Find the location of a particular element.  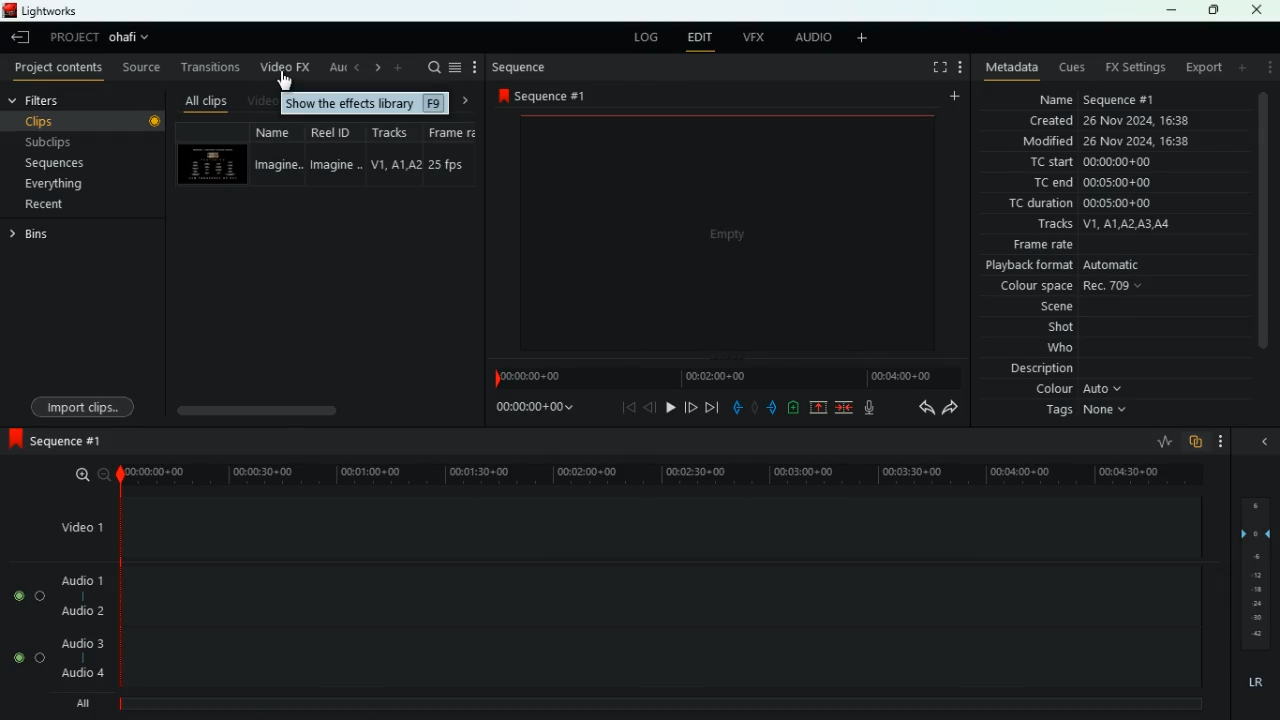

metadata is located at coordinates (1008, 69).